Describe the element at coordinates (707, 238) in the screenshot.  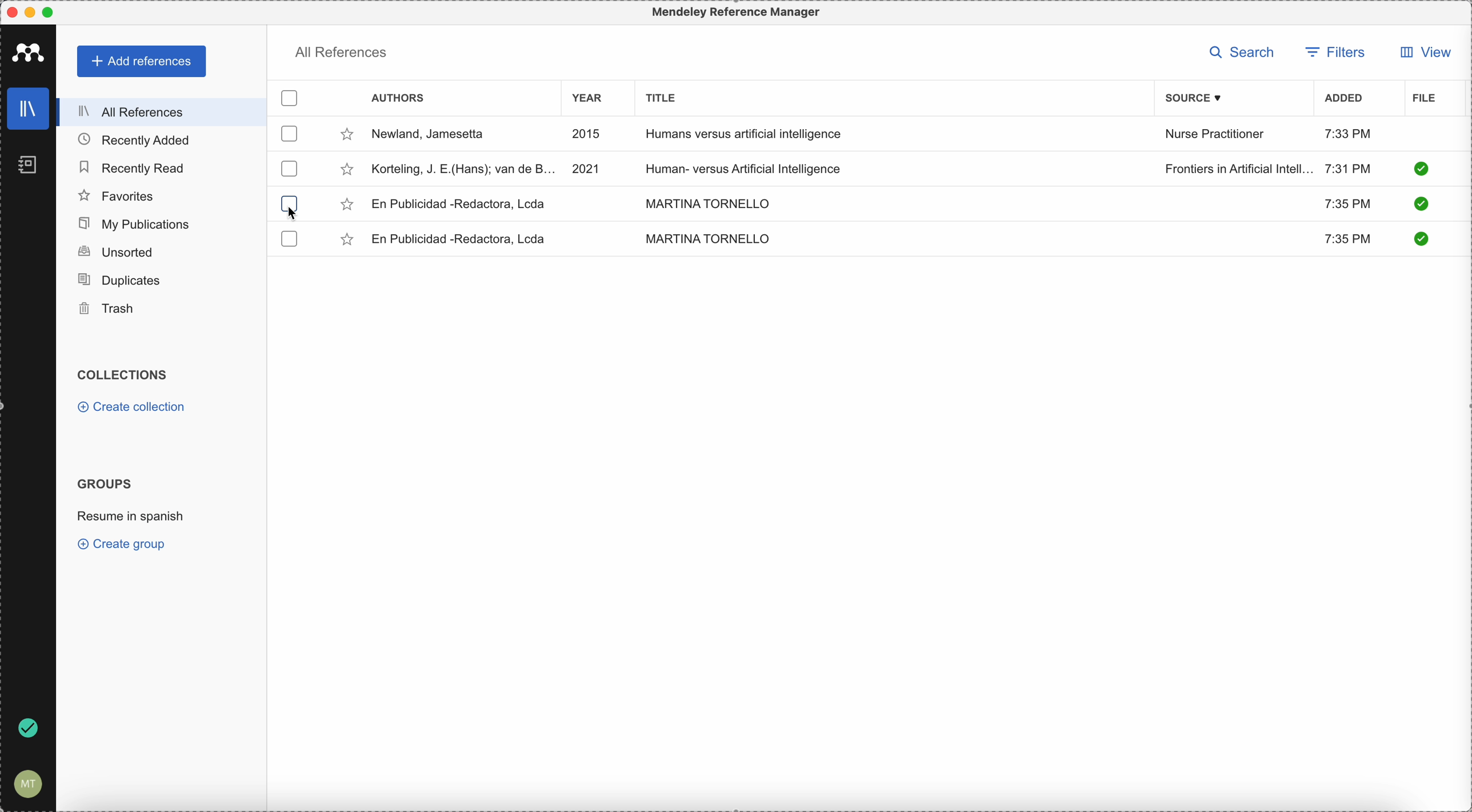
I see `MARTINA TORNELLO` at that location.